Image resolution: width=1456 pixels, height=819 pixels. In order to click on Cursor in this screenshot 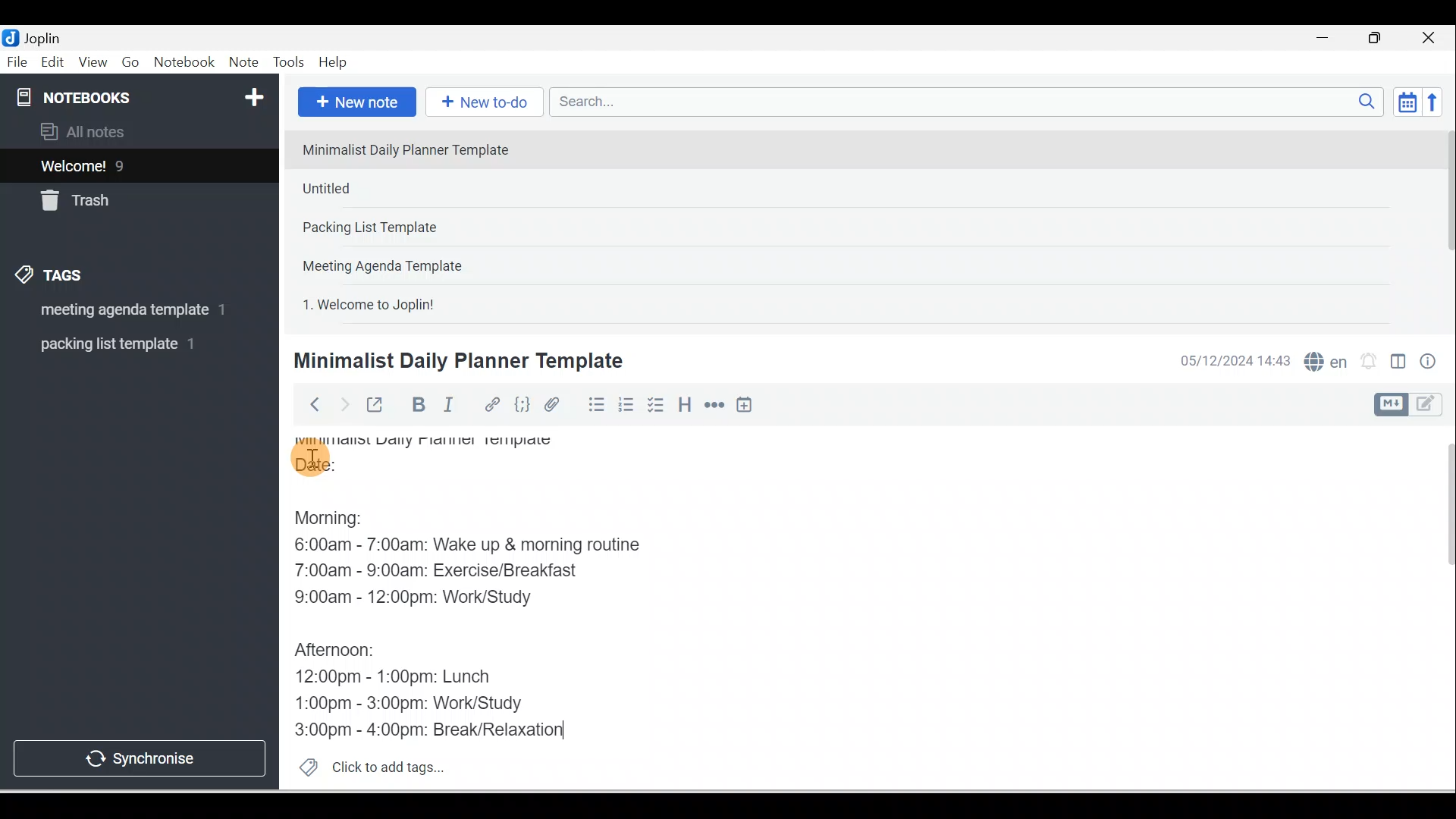, I will do `click(311, 455)`.